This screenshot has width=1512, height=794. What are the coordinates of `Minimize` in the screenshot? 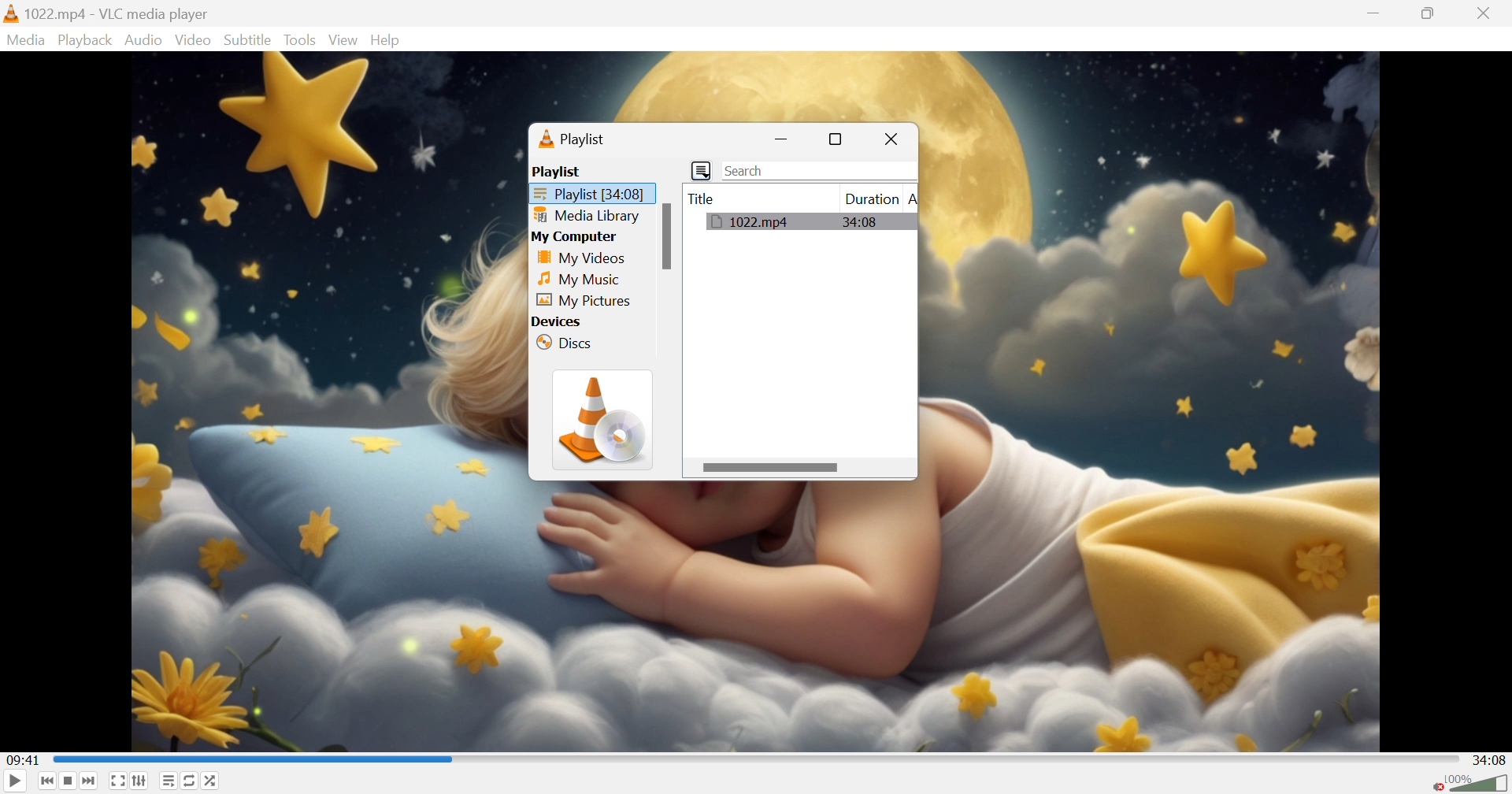 It's located at (780, 140).